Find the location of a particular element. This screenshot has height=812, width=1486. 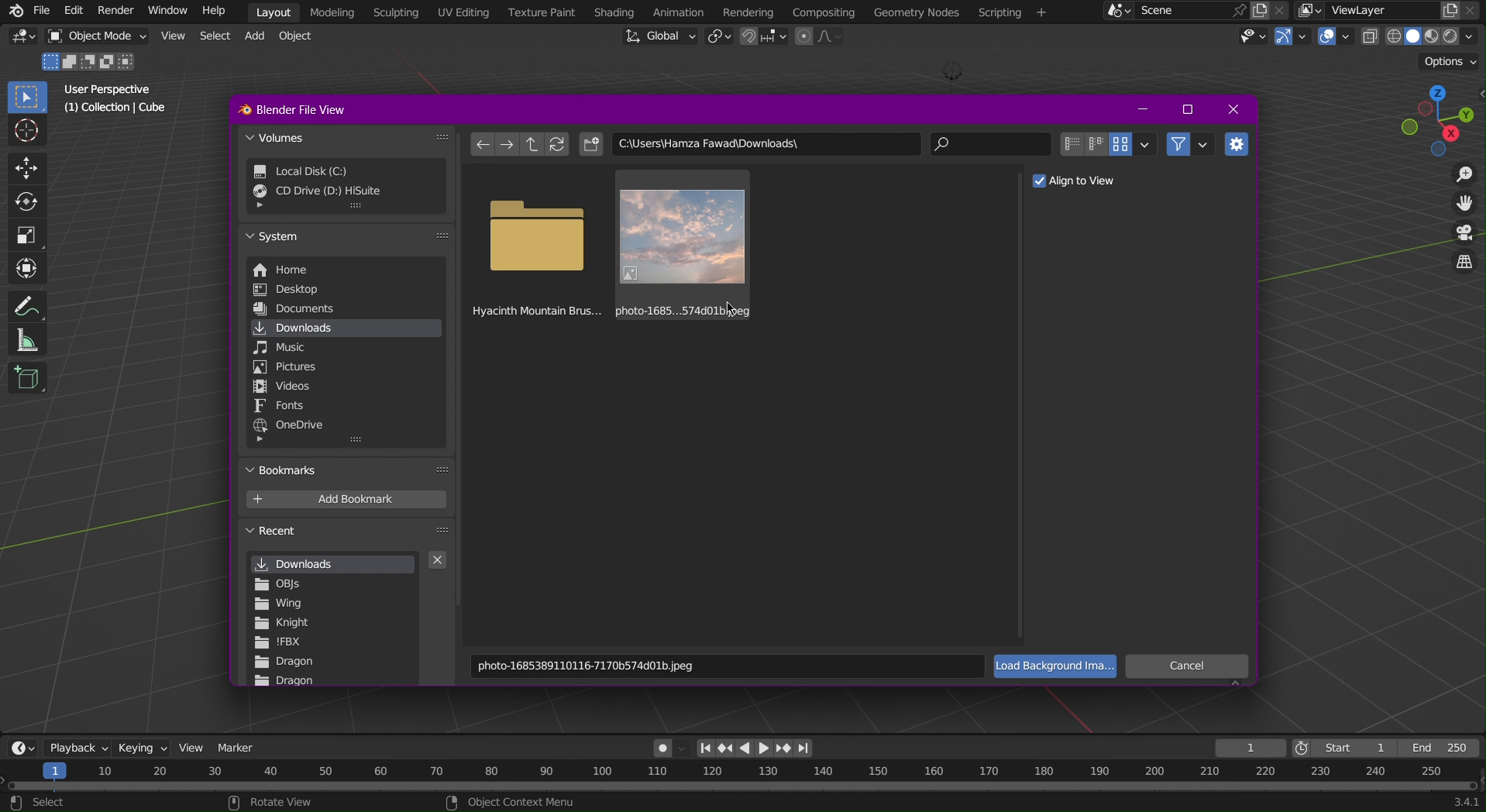

Layout is located at coordinates (274, 11).